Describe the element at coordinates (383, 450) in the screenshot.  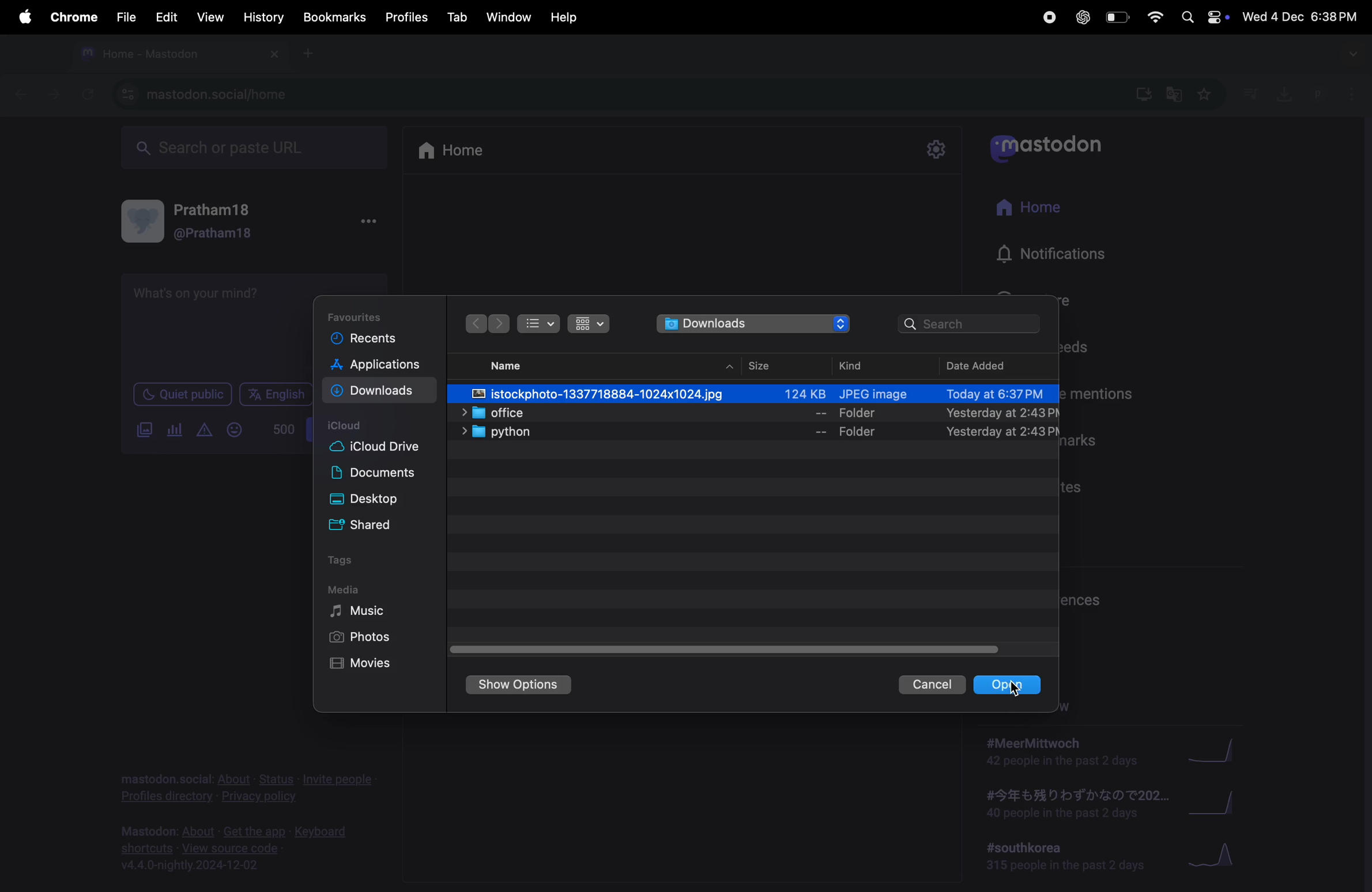
I see `i cloud drive` at that location.